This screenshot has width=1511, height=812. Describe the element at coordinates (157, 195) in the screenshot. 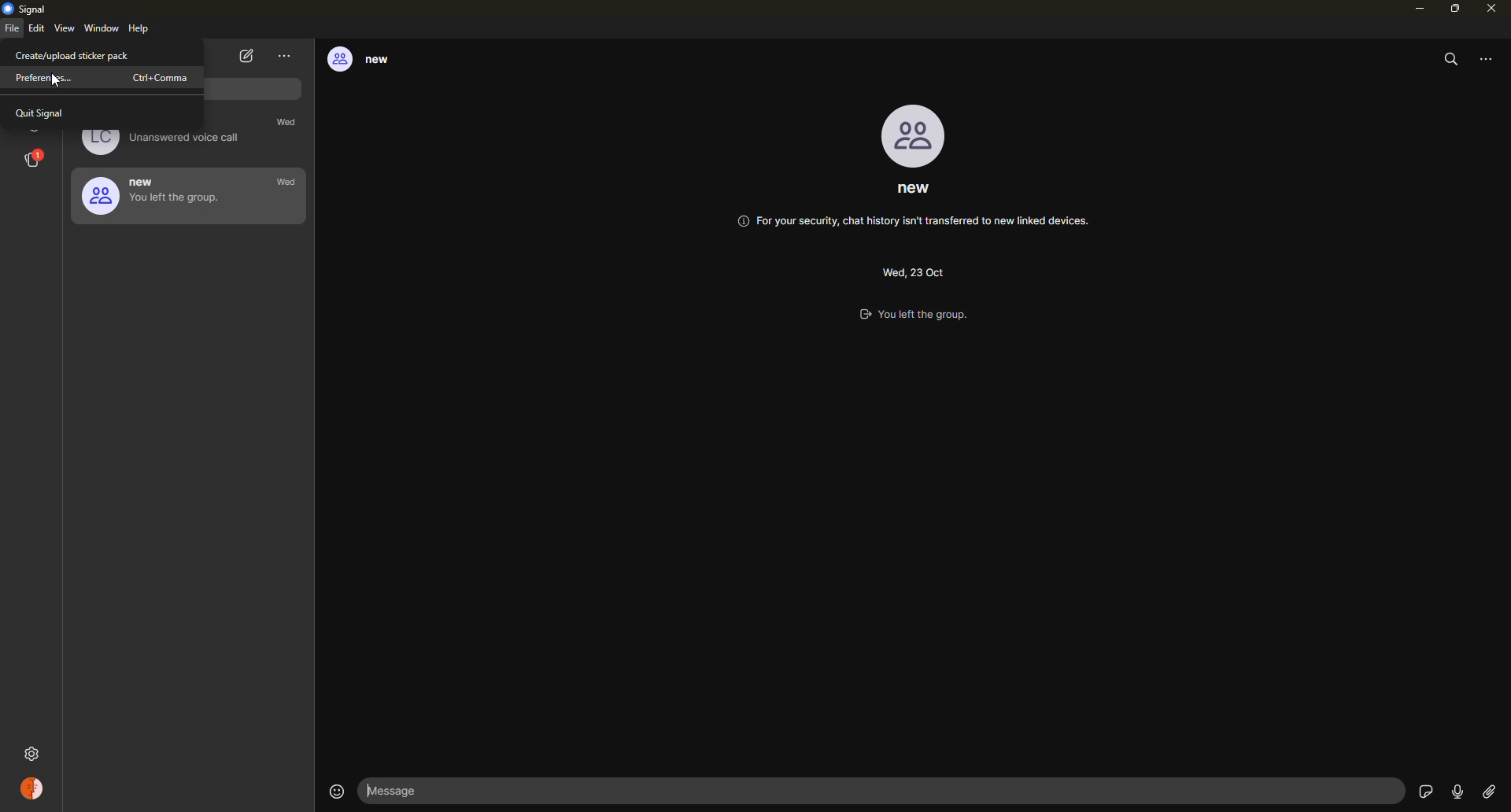

I see `new` at that location.